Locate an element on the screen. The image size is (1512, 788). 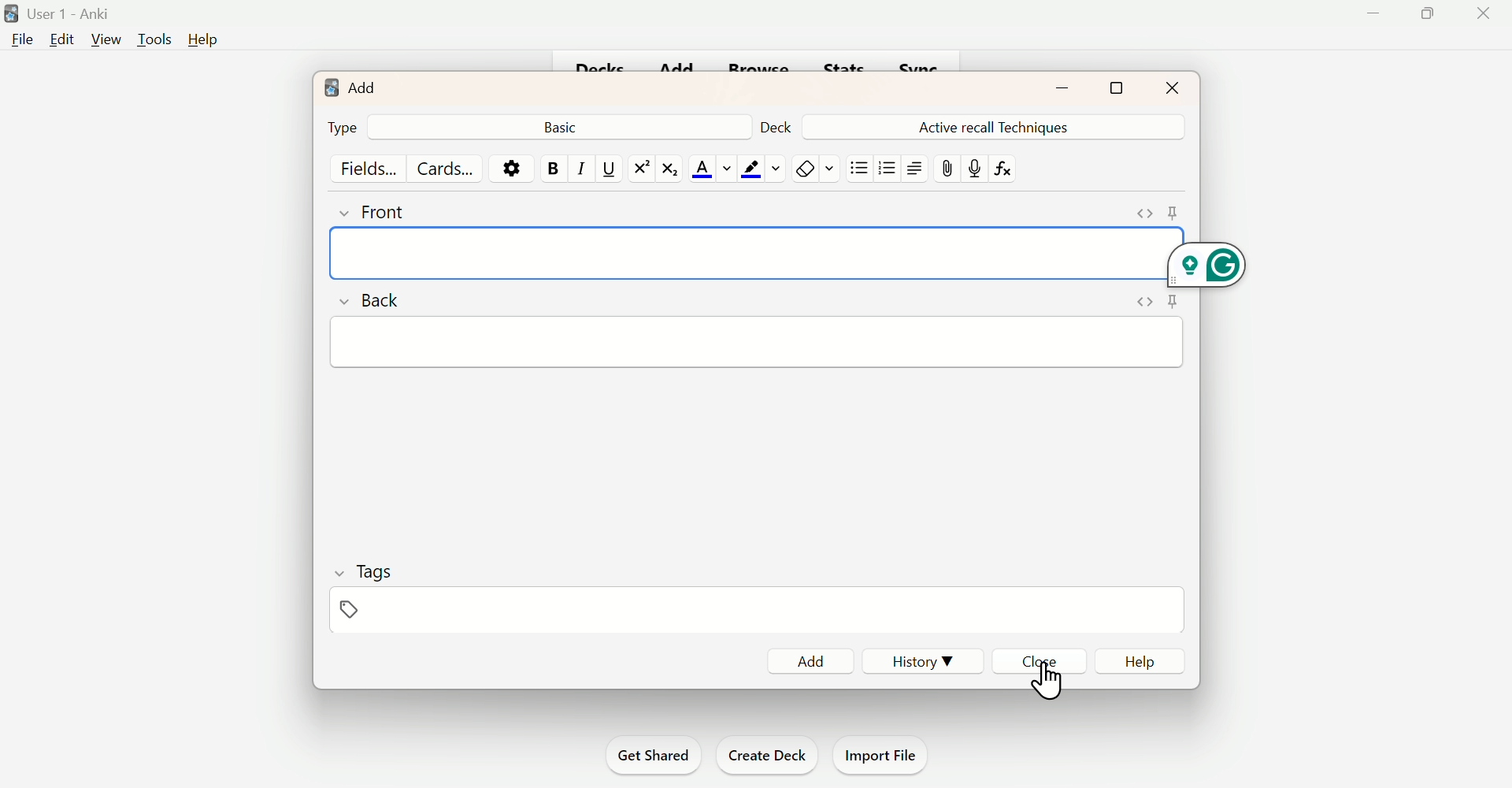
Close is located at coordinates (1043, 663).